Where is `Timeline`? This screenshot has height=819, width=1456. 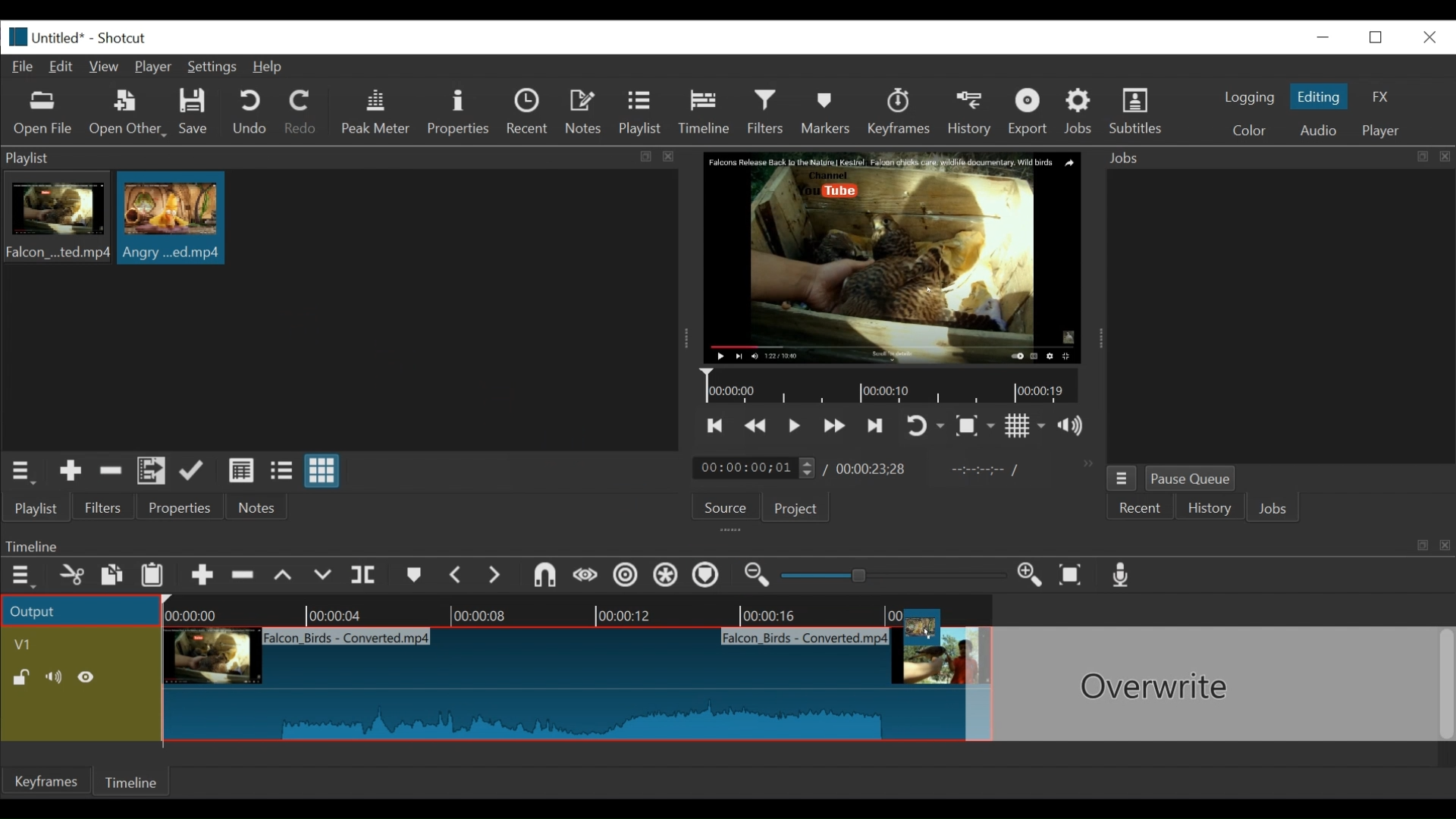
Timeline is located at coordinates (894, 387).